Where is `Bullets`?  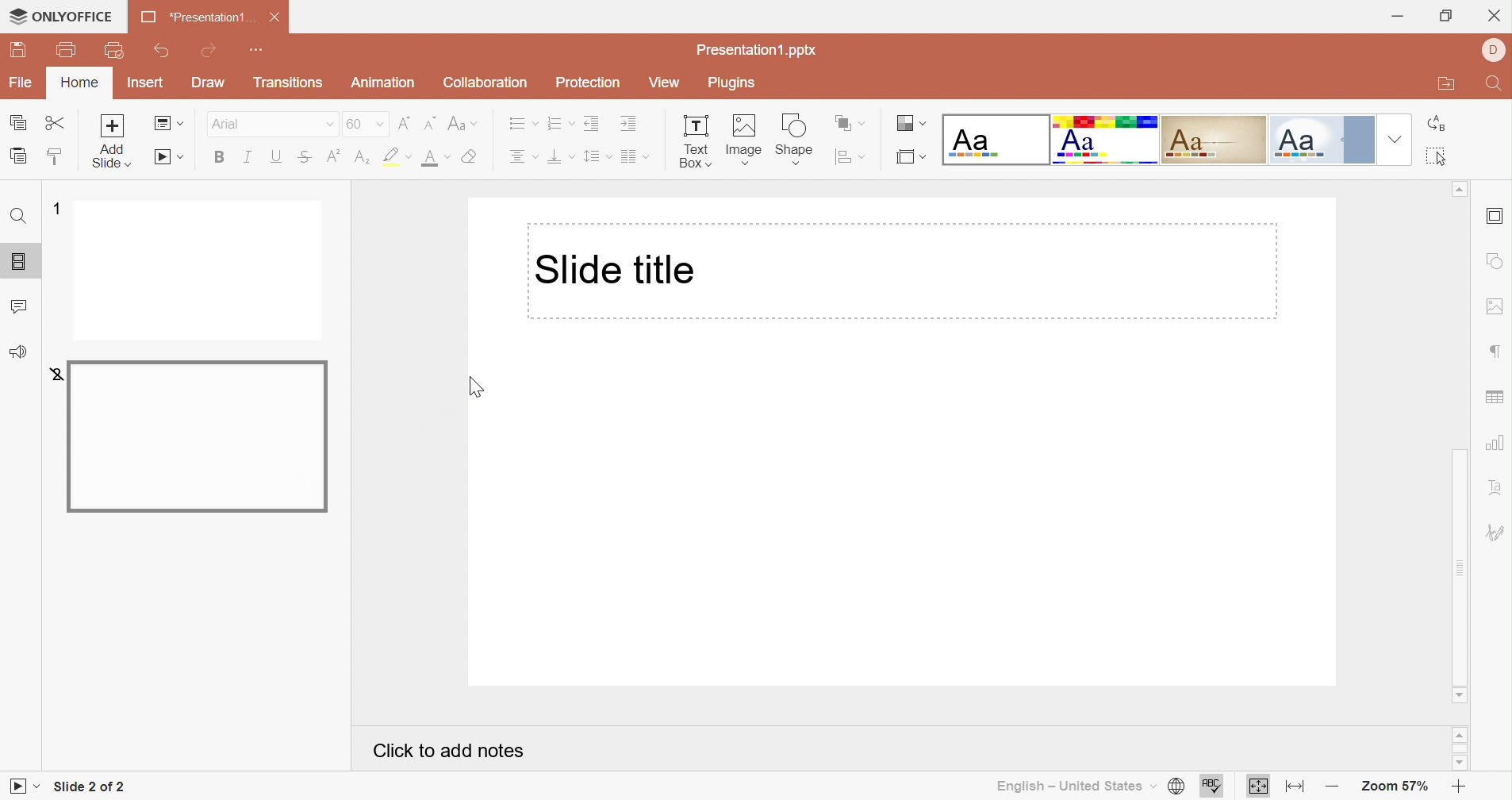 Bullets is located at coordinates (520, 123).